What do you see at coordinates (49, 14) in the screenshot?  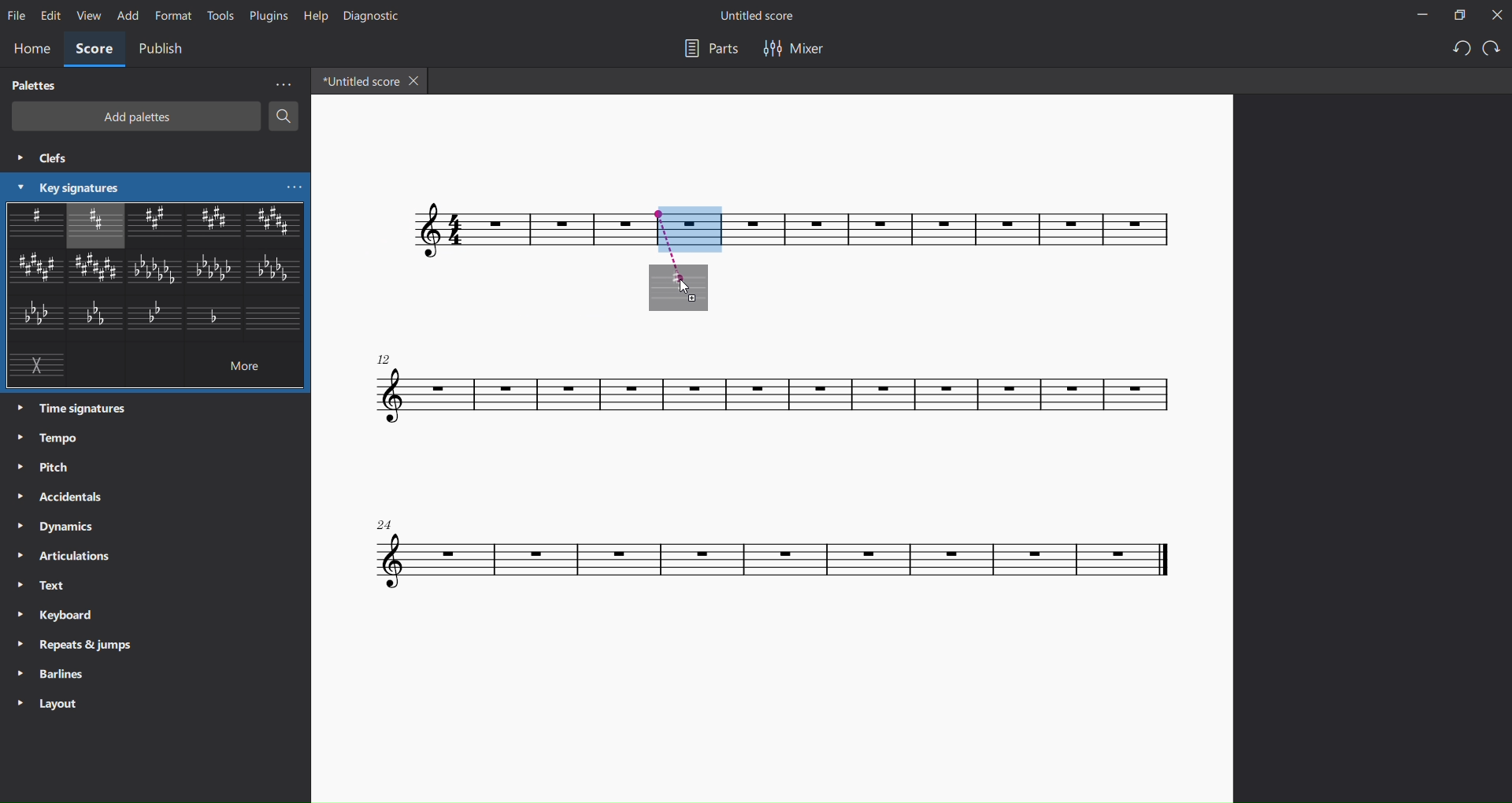 I see `edit` at bounding box center [49, 14].